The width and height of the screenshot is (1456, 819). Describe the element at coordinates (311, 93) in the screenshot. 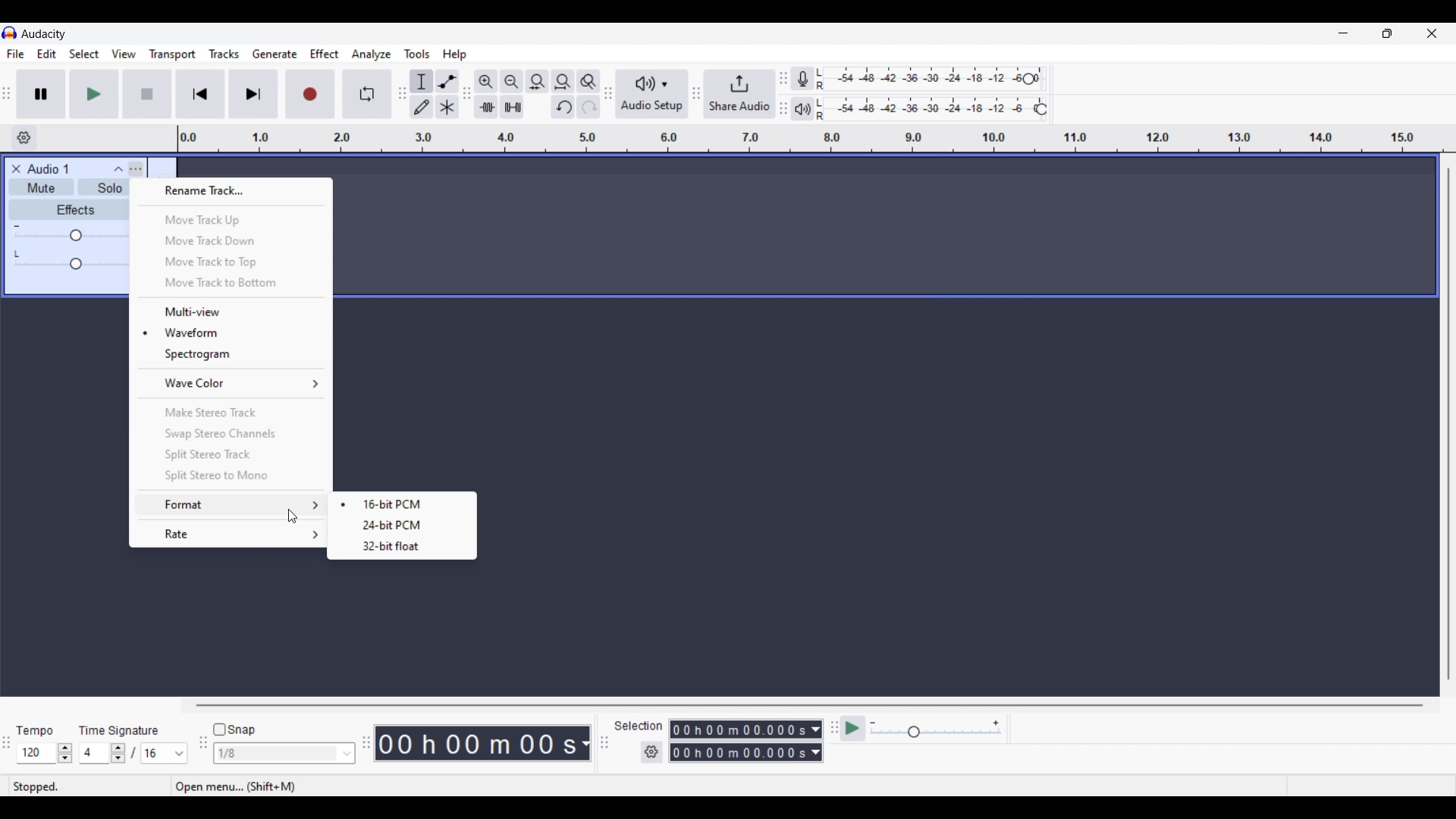

I see `Record/Record new track` at that location.